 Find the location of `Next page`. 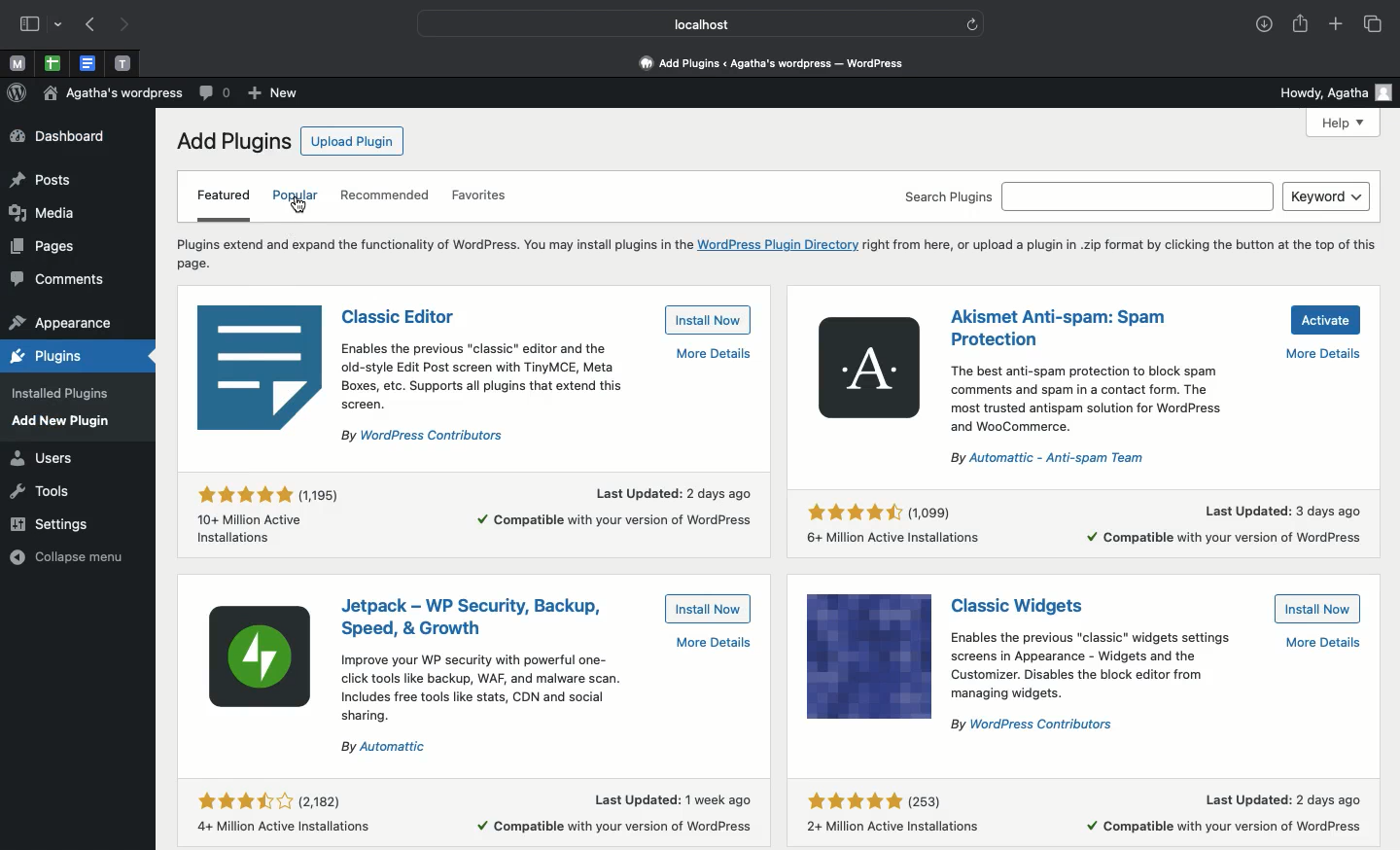

Next page is located at coordinates (127, 25).